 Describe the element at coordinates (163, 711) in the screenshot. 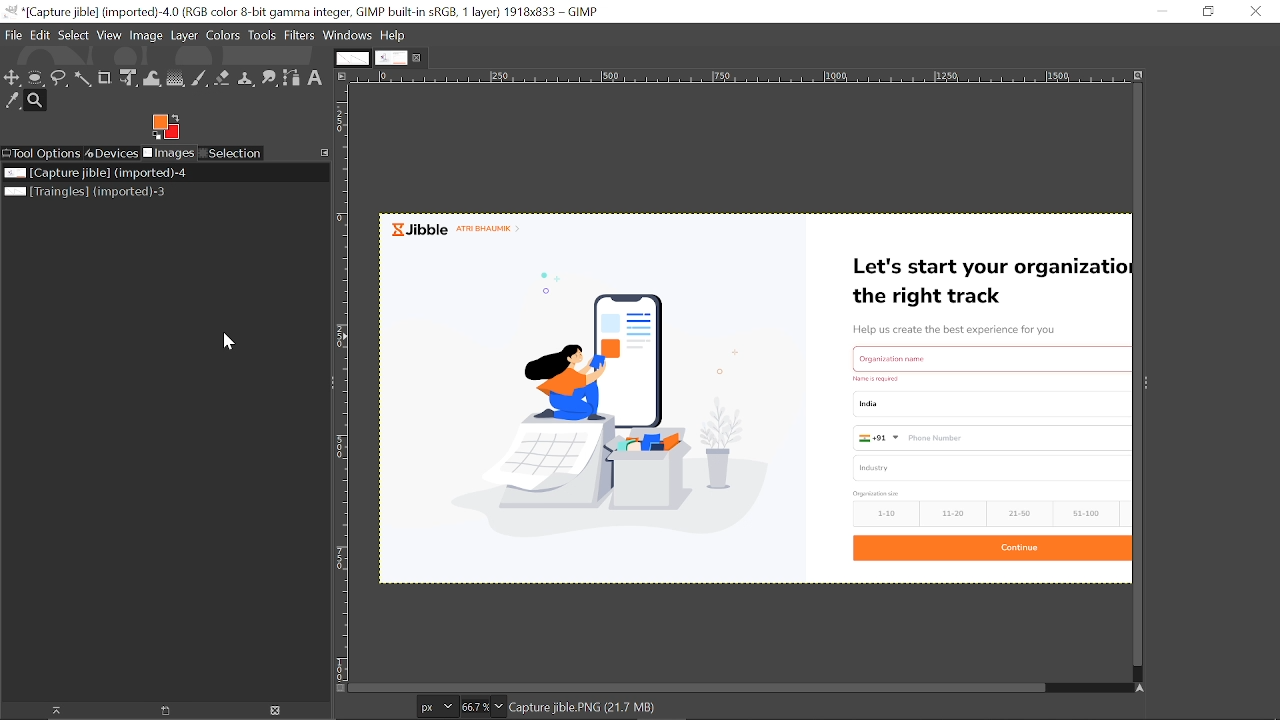

I see `Create a new display for this image` at that location.